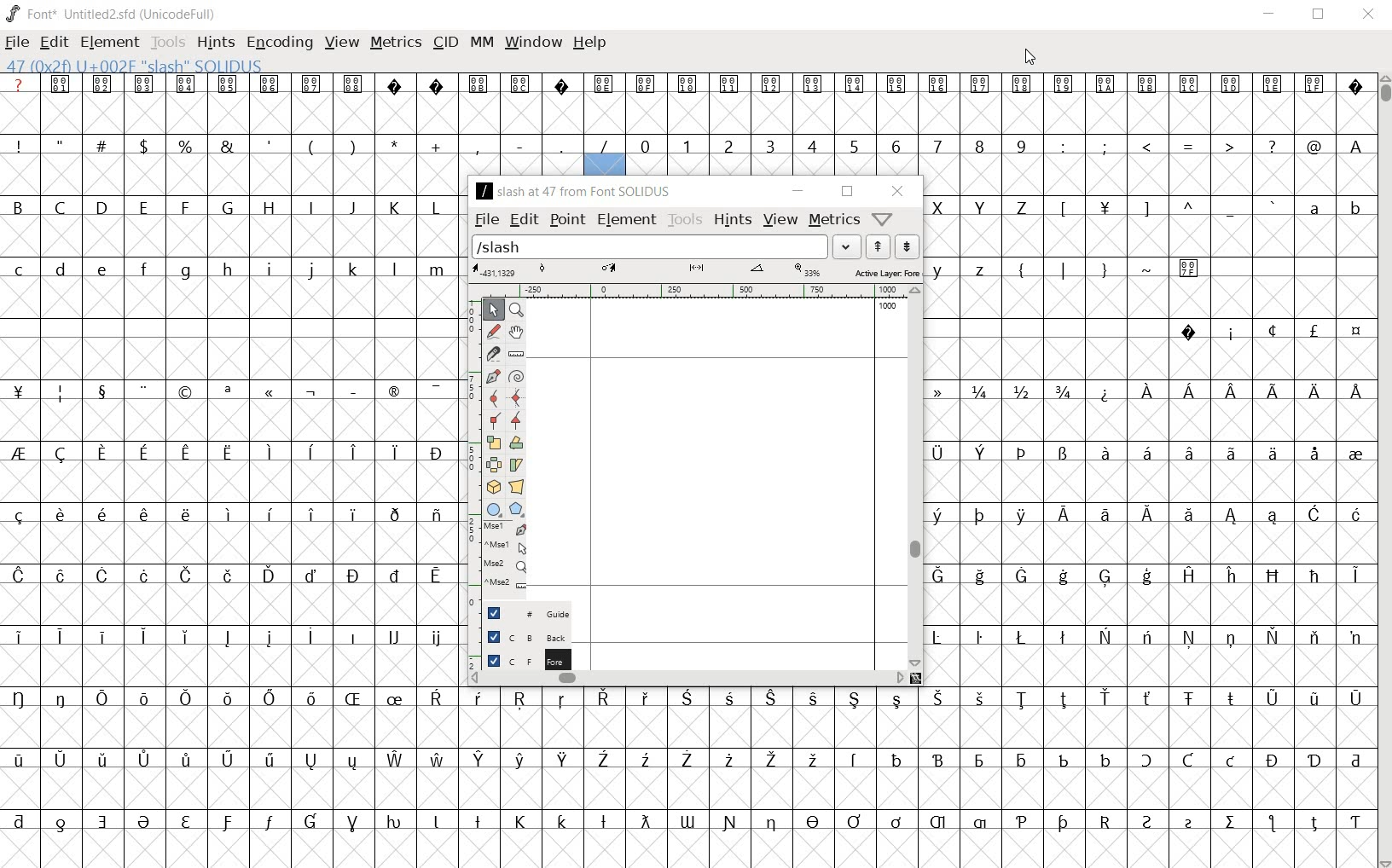 Image resolution: width=1392 pixels, height=868 pixels. What do you see at coordinates (1148, 421) in the screenshot?
I see `empty cells` at bounding box center [1148, 421].